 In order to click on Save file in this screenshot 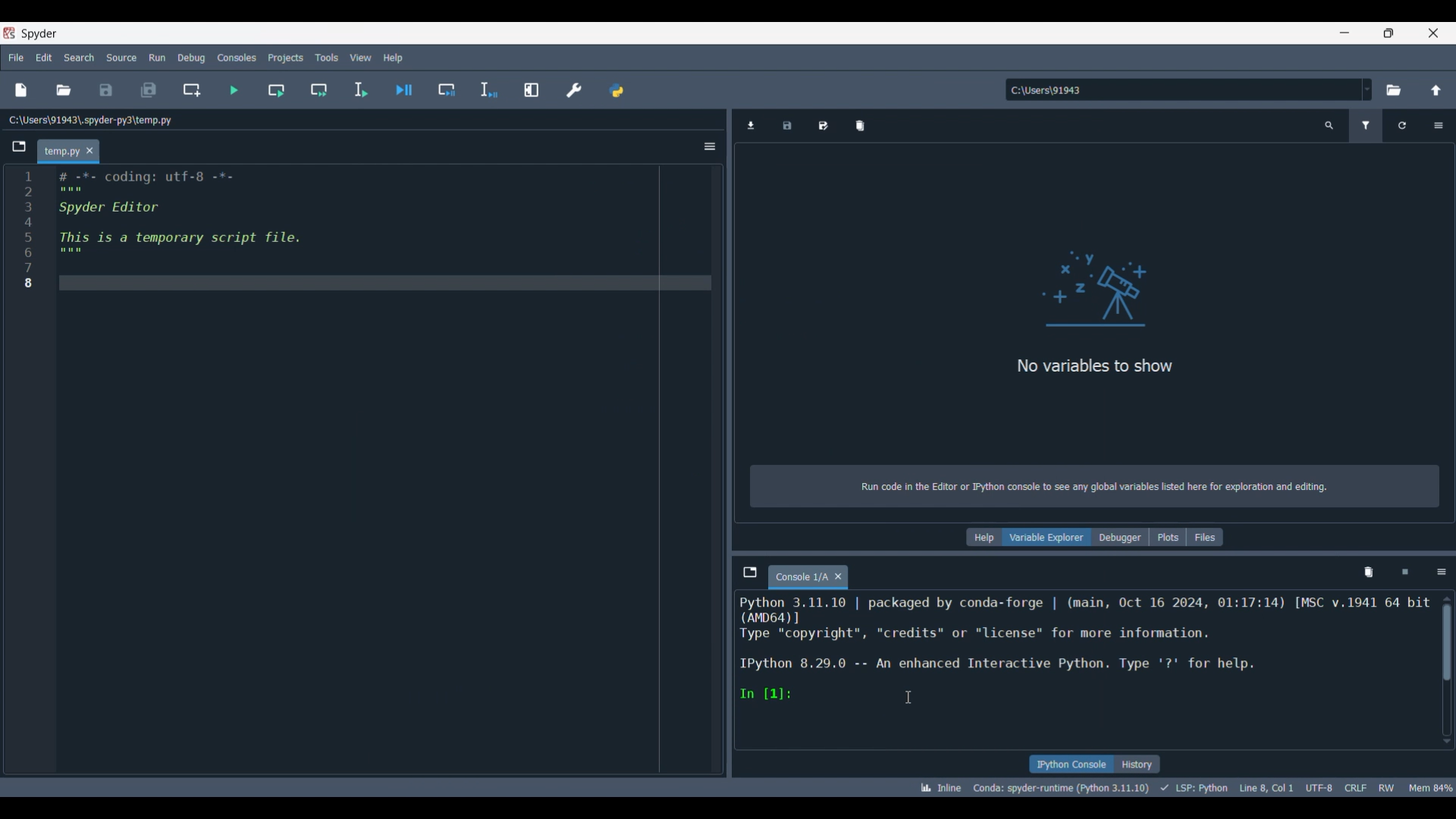, I will do `click(106, 90)`.